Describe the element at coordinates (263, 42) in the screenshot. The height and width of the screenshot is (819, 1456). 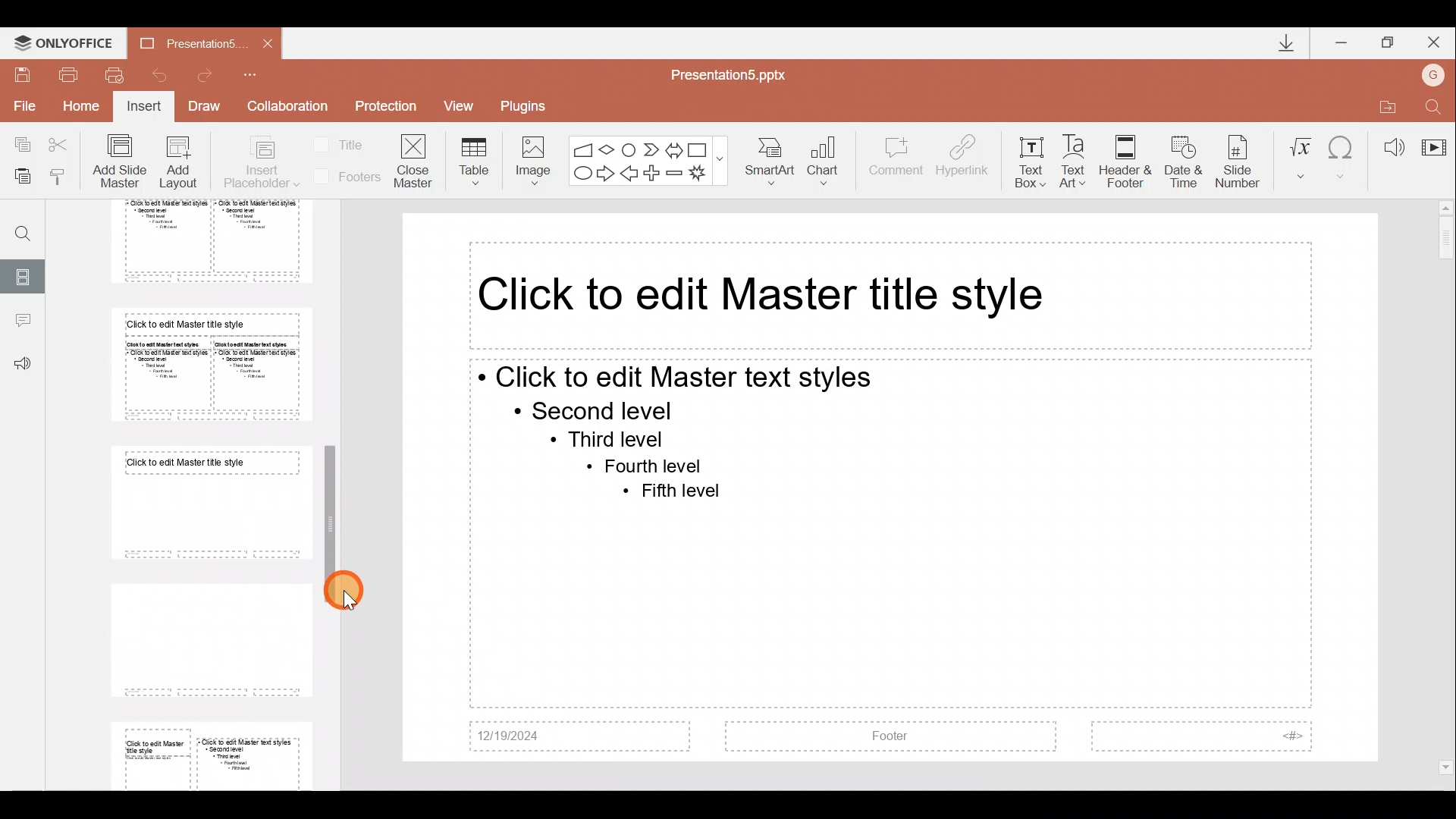
I see `Close document` at that location.